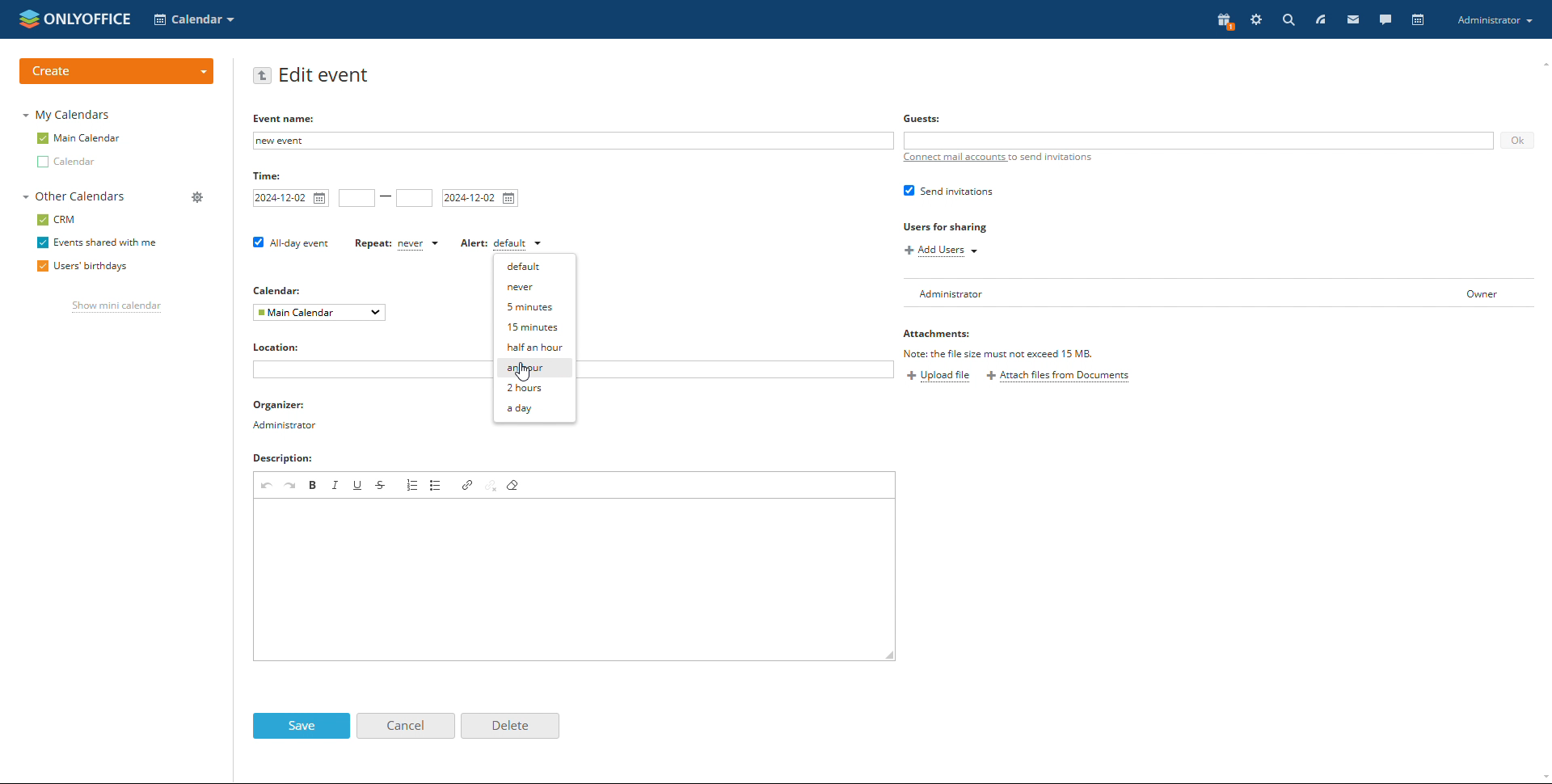  Describe the element at coordinates (1222, 293) in the screenshot. I see `user list` at that location.